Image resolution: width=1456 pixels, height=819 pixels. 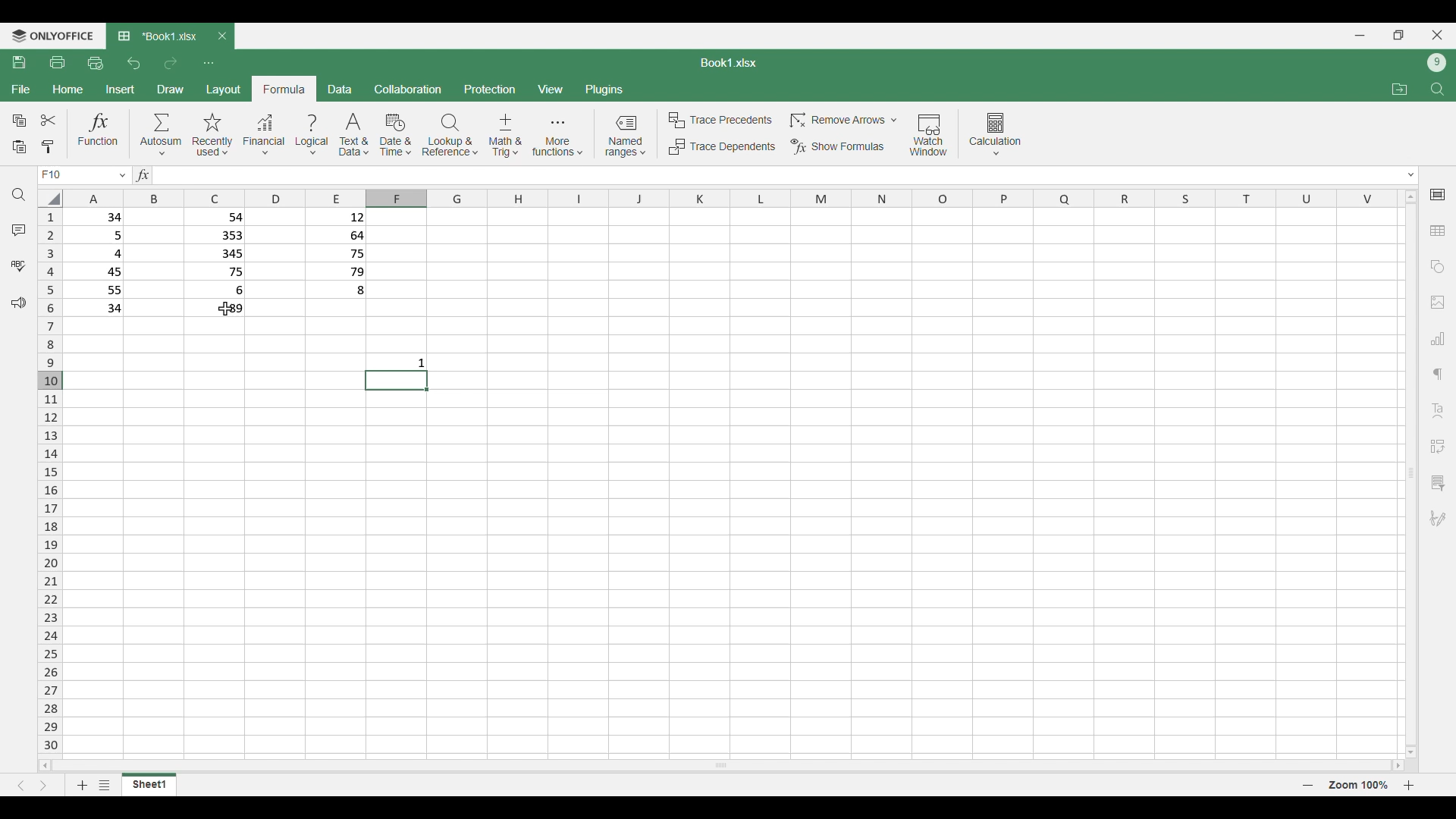 I want to click on Financial, so click(x=264, y=136).